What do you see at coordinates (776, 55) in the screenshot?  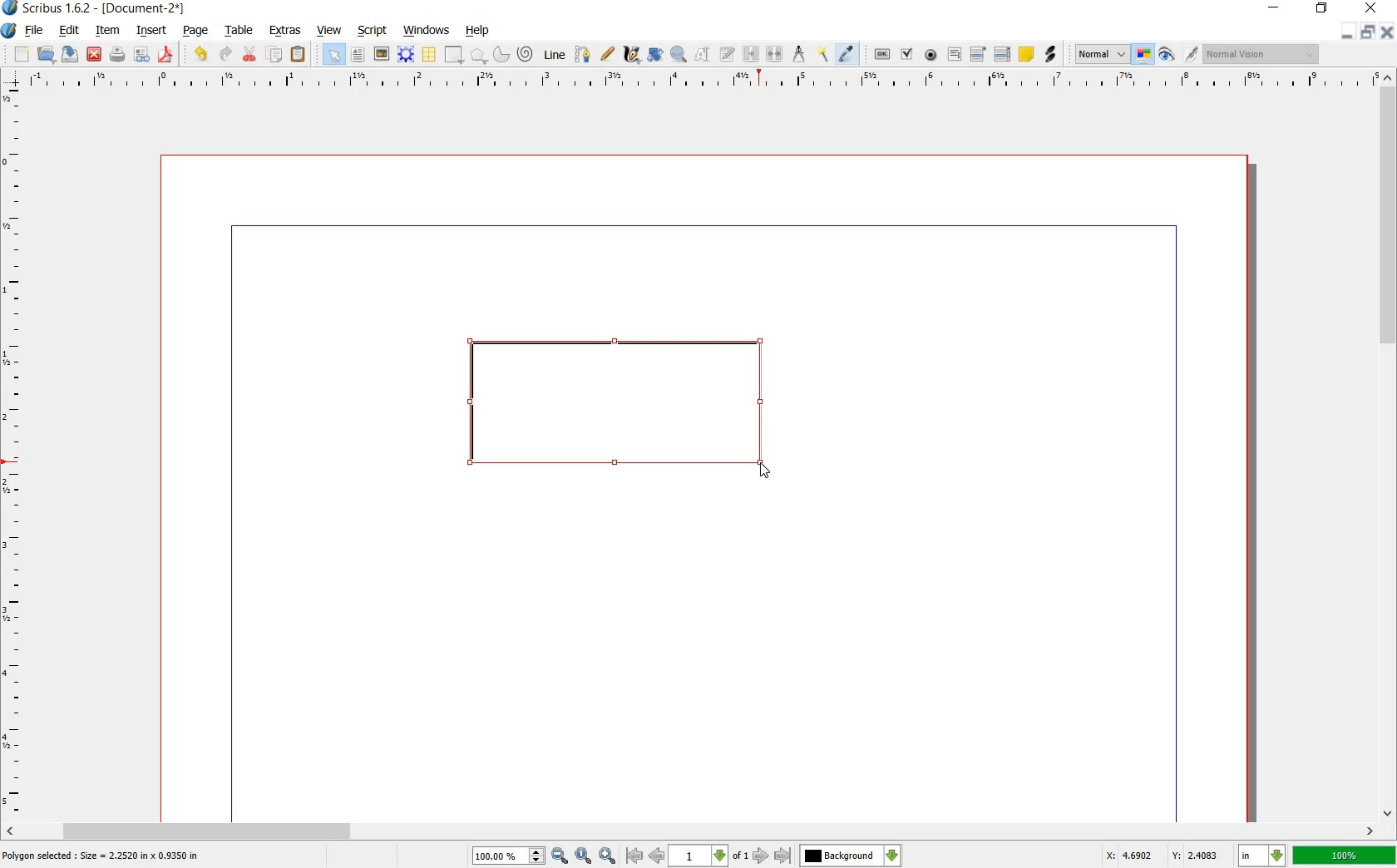 I see `UNLINK TEXT FRAME` at bounding box center [776, 55].